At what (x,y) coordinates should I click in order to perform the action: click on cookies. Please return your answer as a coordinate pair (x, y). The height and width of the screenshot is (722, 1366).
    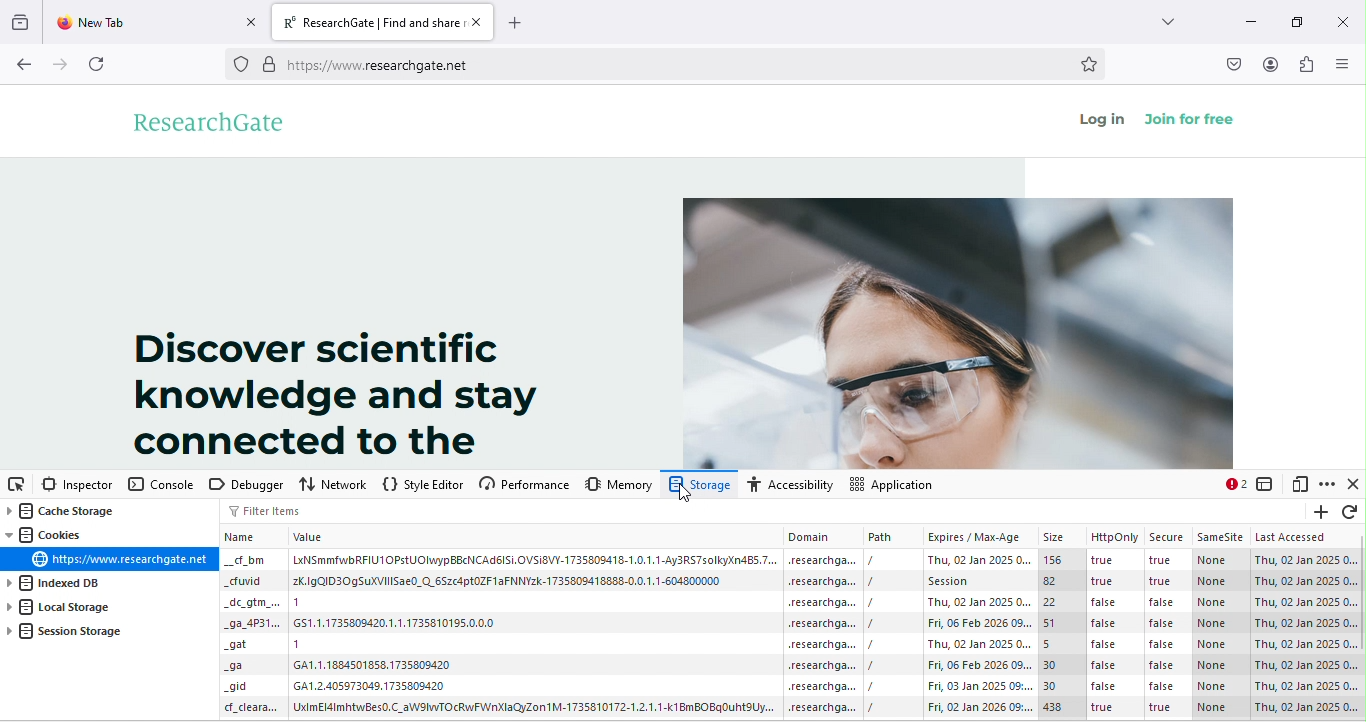
    Looking at the image, I should click on (90, 536).